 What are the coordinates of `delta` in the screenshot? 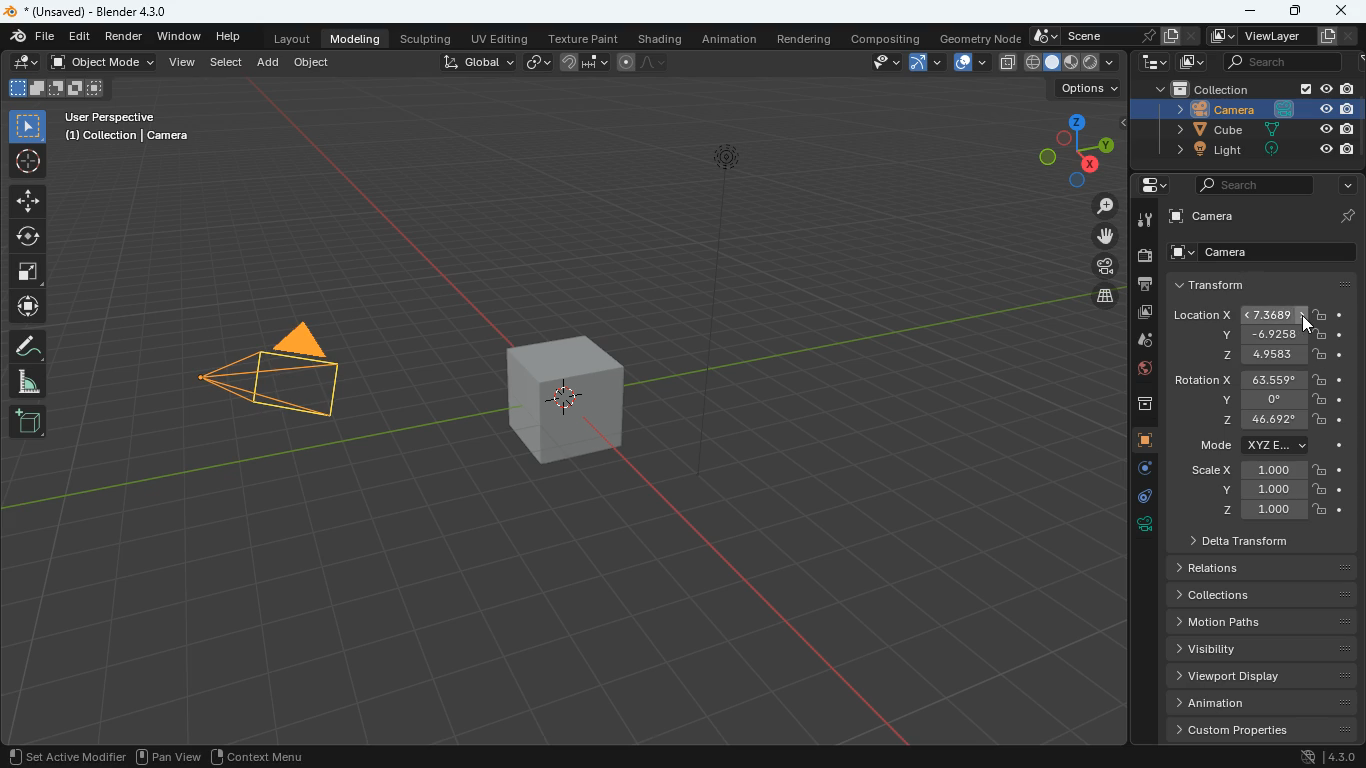 It's located at (1238, 543).